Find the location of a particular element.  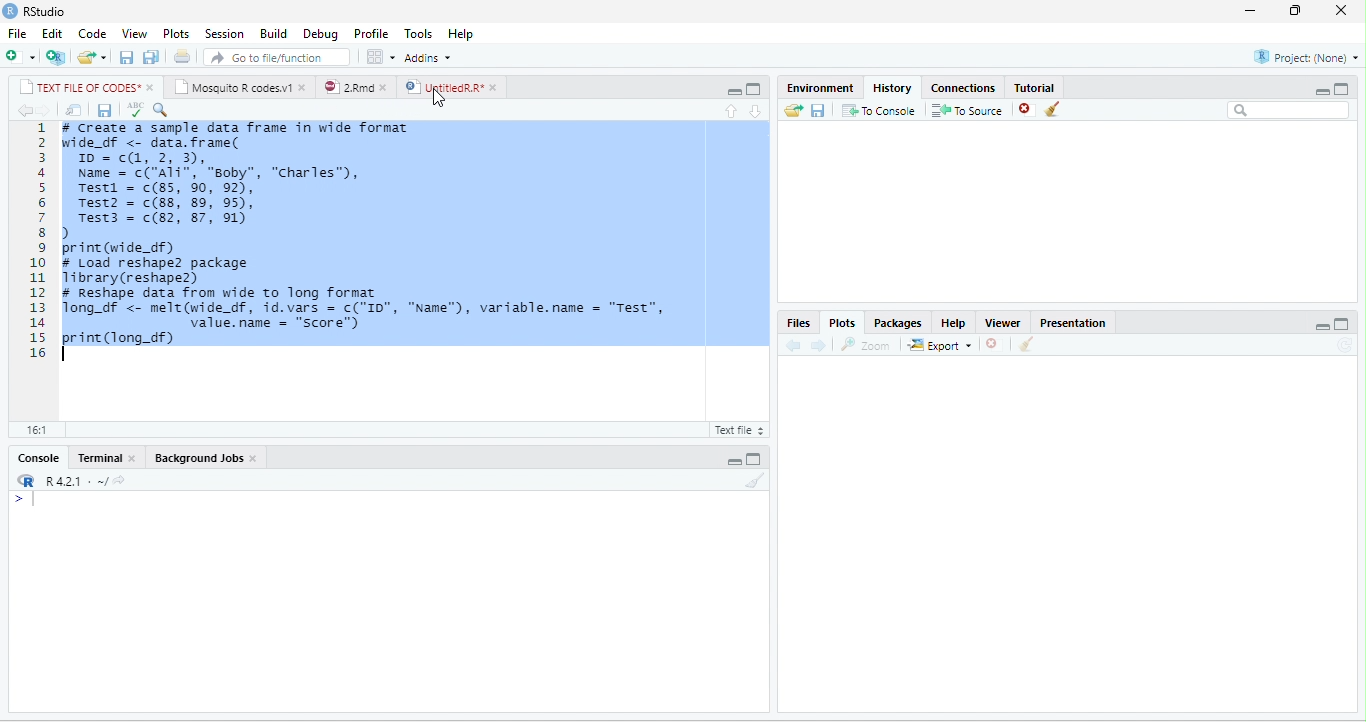

logo is located at coordinates (11, 10).